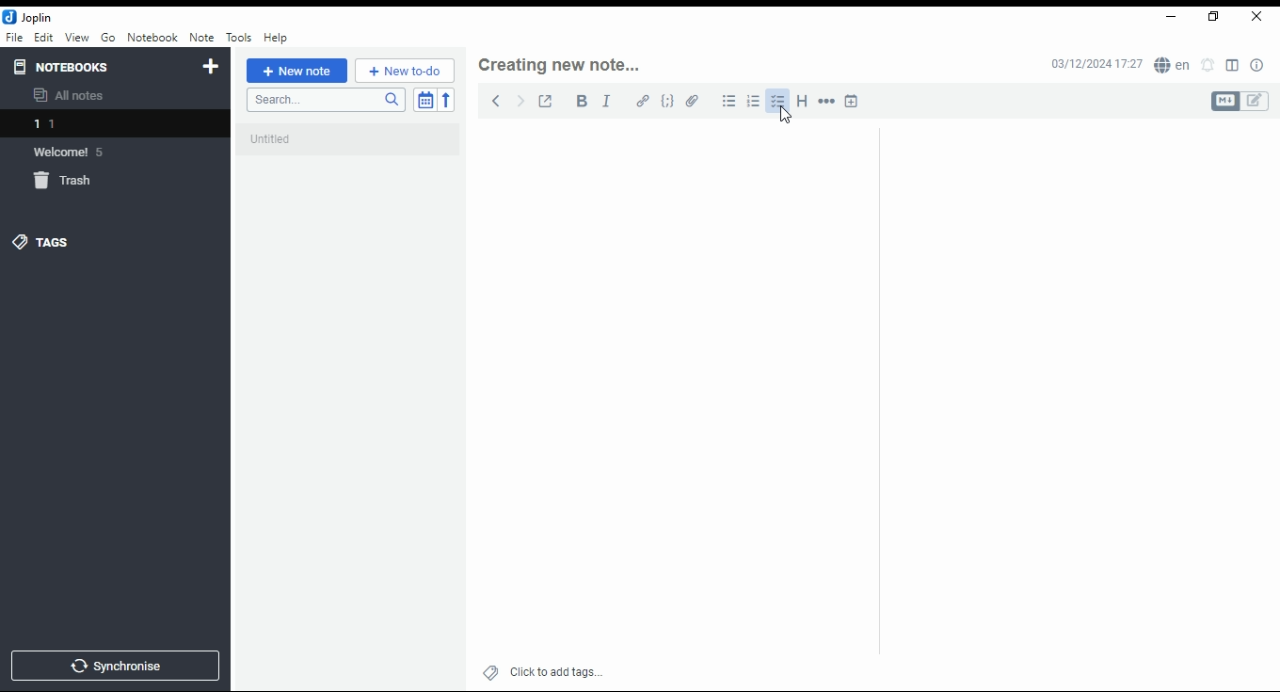 The width and height of the screenshot is (1280, 692). What do you see at coordinates (543, 674) in the screenshot?
I see `click to add tags` at bounding box center [543, 674].